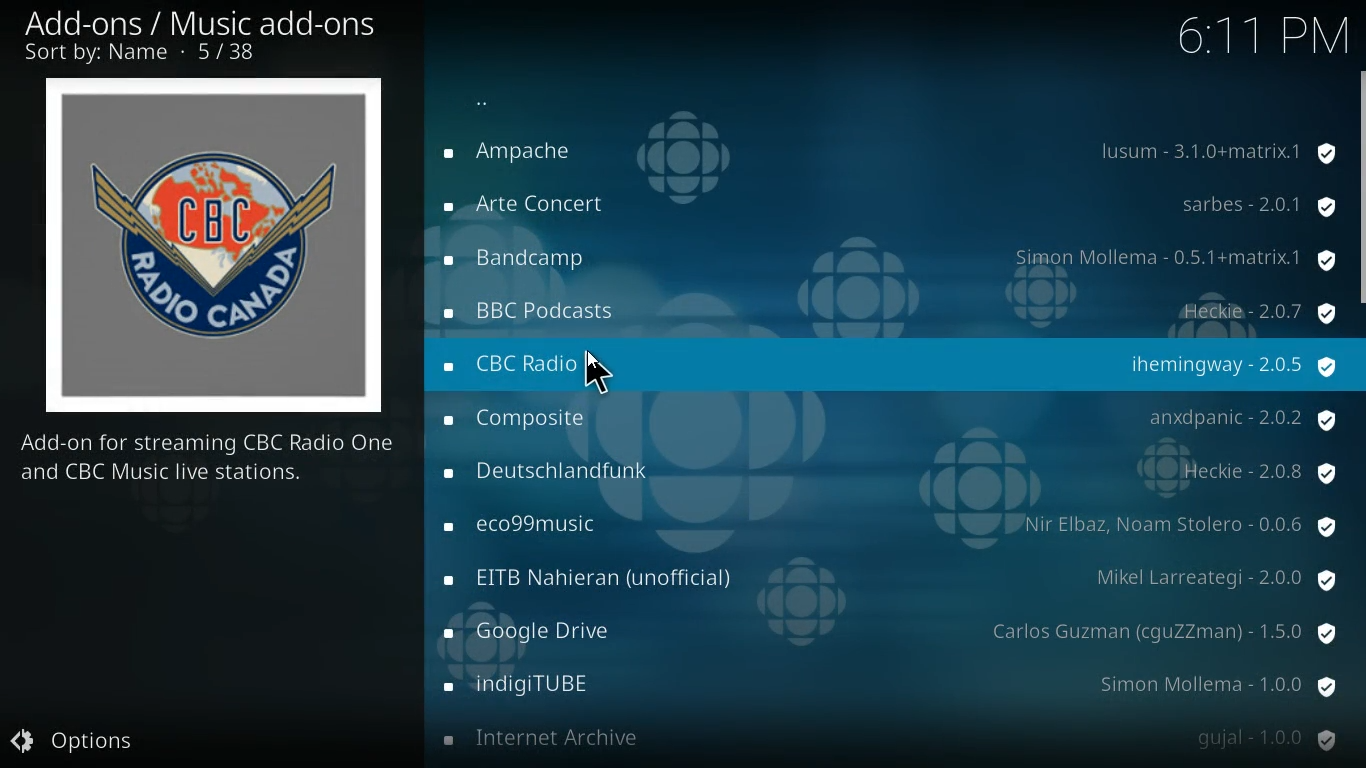  I want to click on radio name, so click(595, 574).